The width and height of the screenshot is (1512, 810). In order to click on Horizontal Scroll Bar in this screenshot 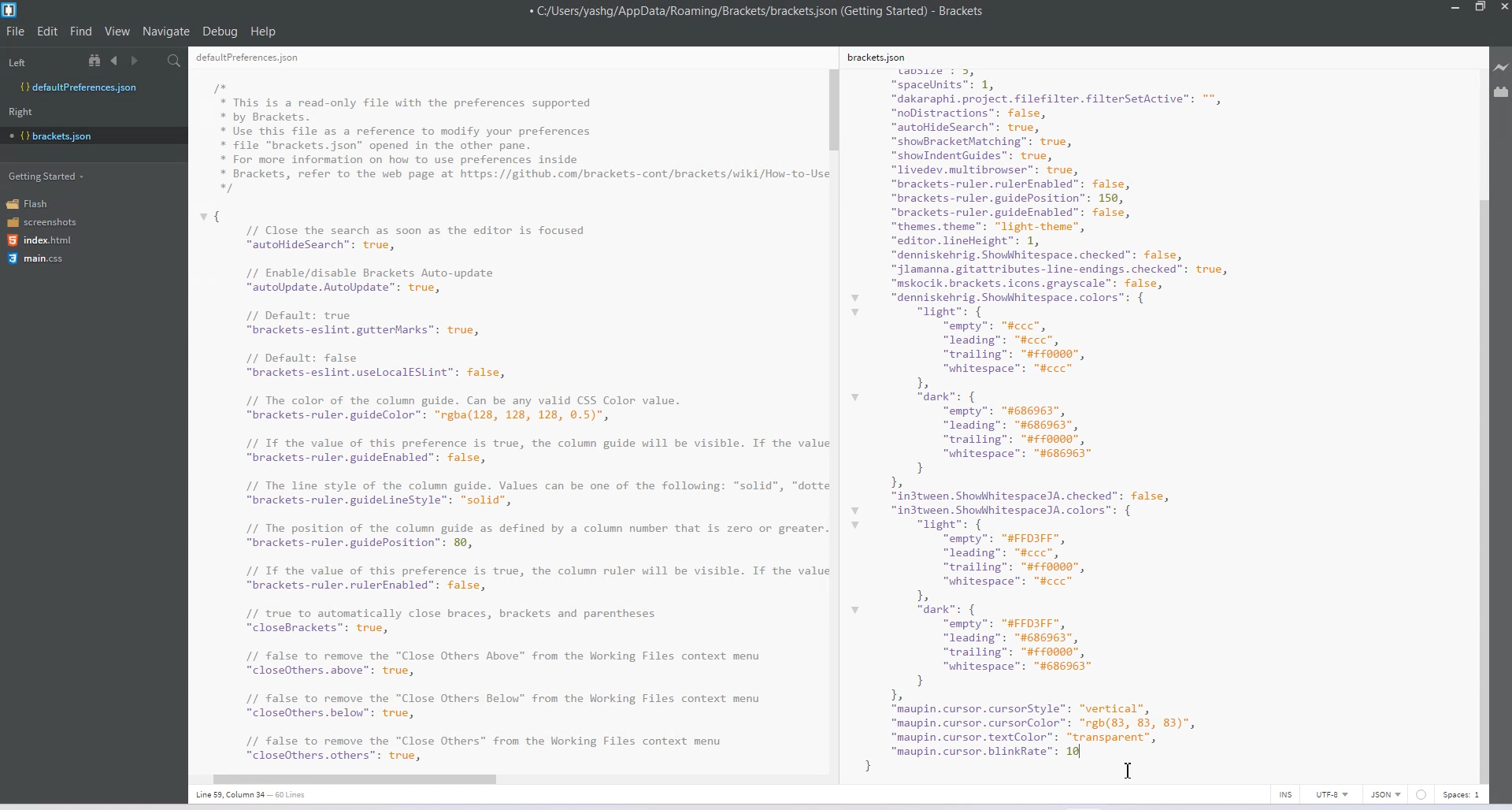, I will do `click(502, 776)`.